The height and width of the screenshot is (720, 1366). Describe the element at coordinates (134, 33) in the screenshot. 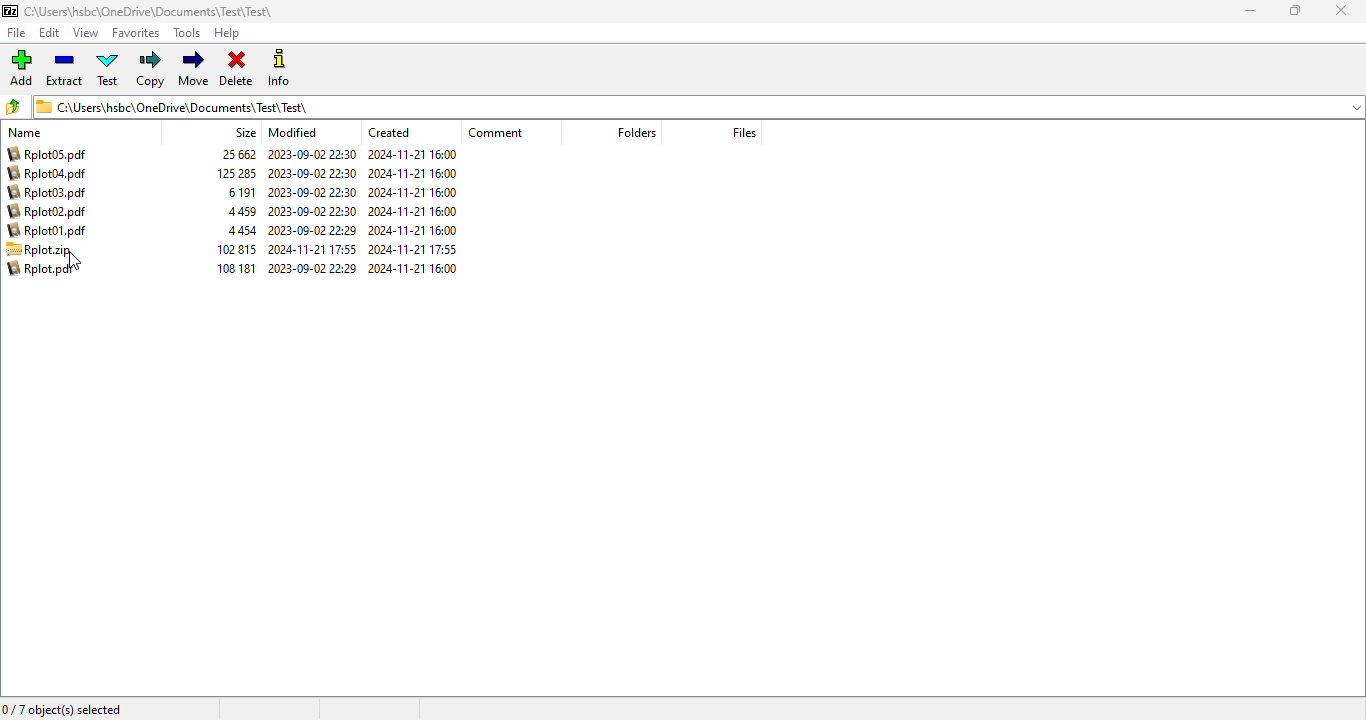

I see `favorites` at that location.